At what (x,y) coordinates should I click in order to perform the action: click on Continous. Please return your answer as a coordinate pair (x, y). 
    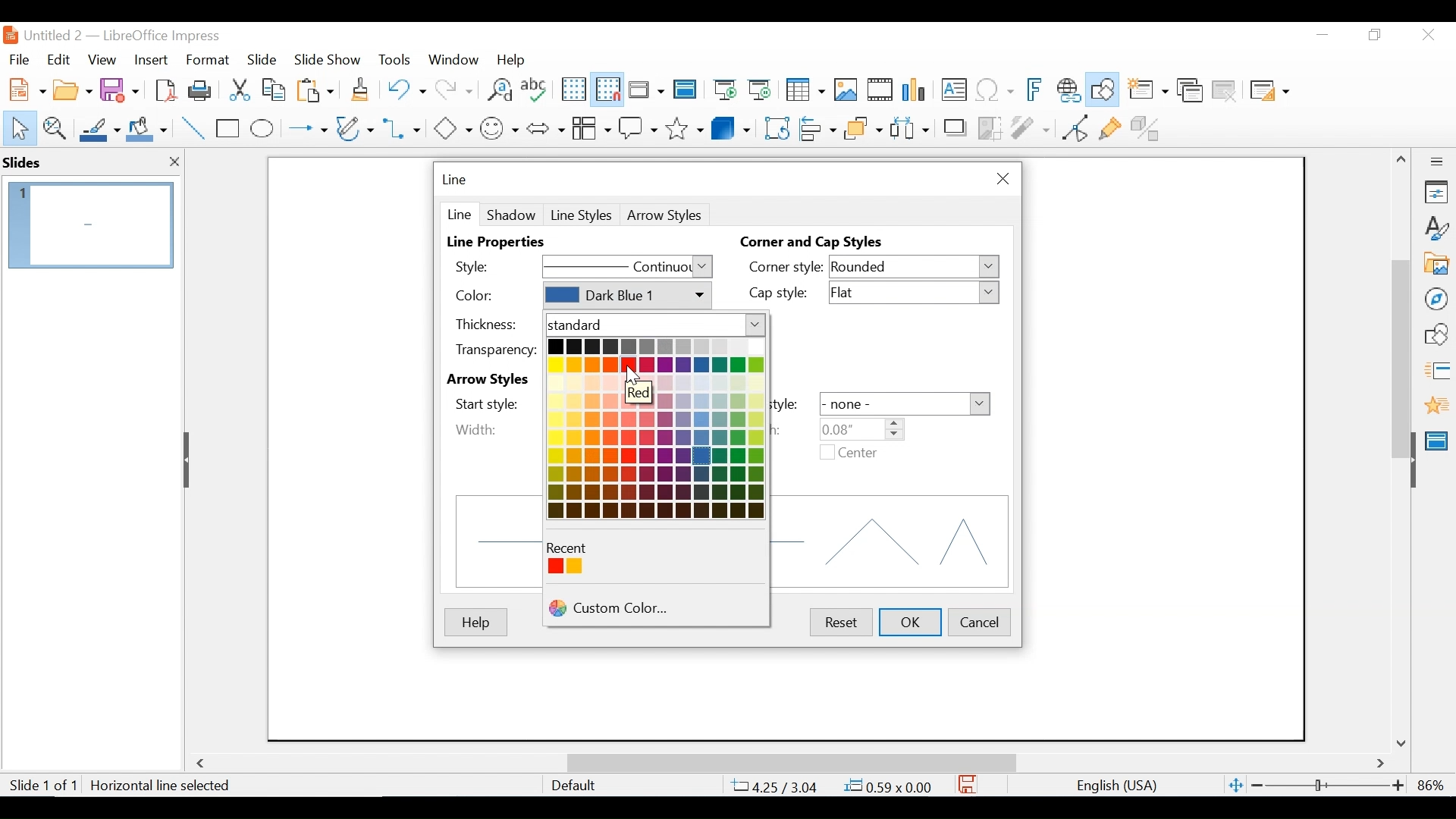
    Looking at the image, I should click on (627, 268).